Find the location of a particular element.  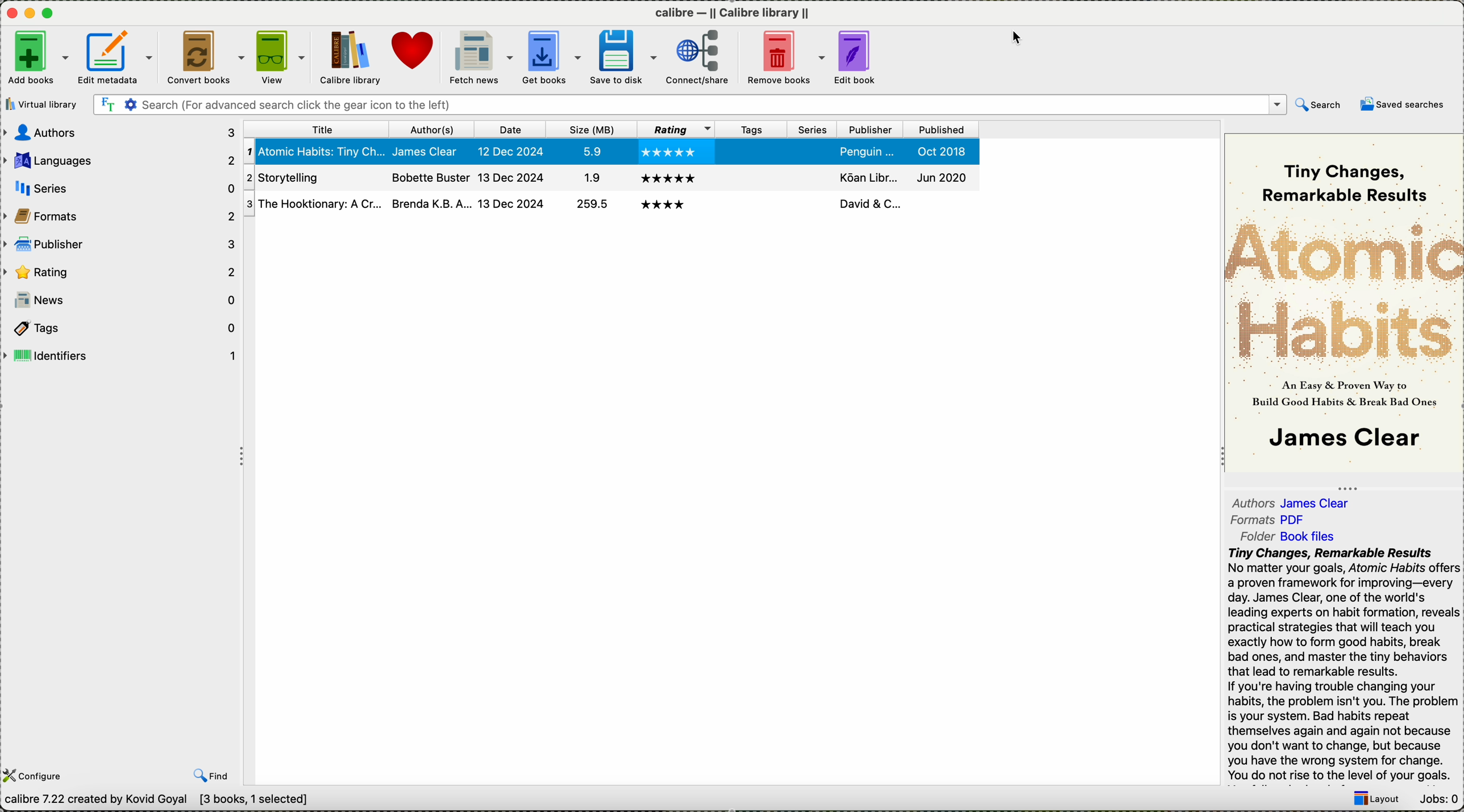

david & c... is located at coordinates (871, 176).